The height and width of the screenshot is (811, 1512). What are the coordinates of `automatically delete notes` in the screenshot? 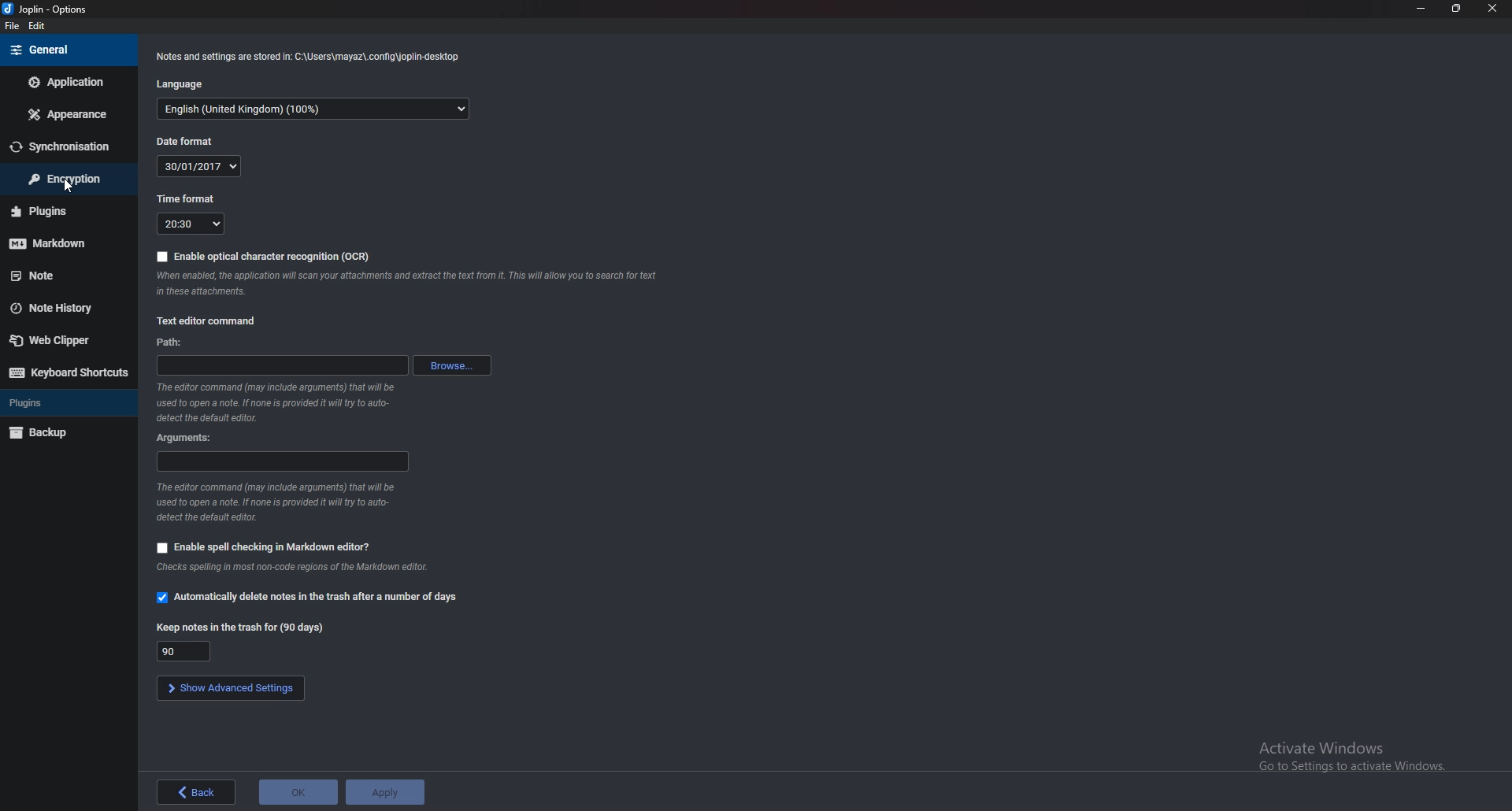 It's located at (316, 598).